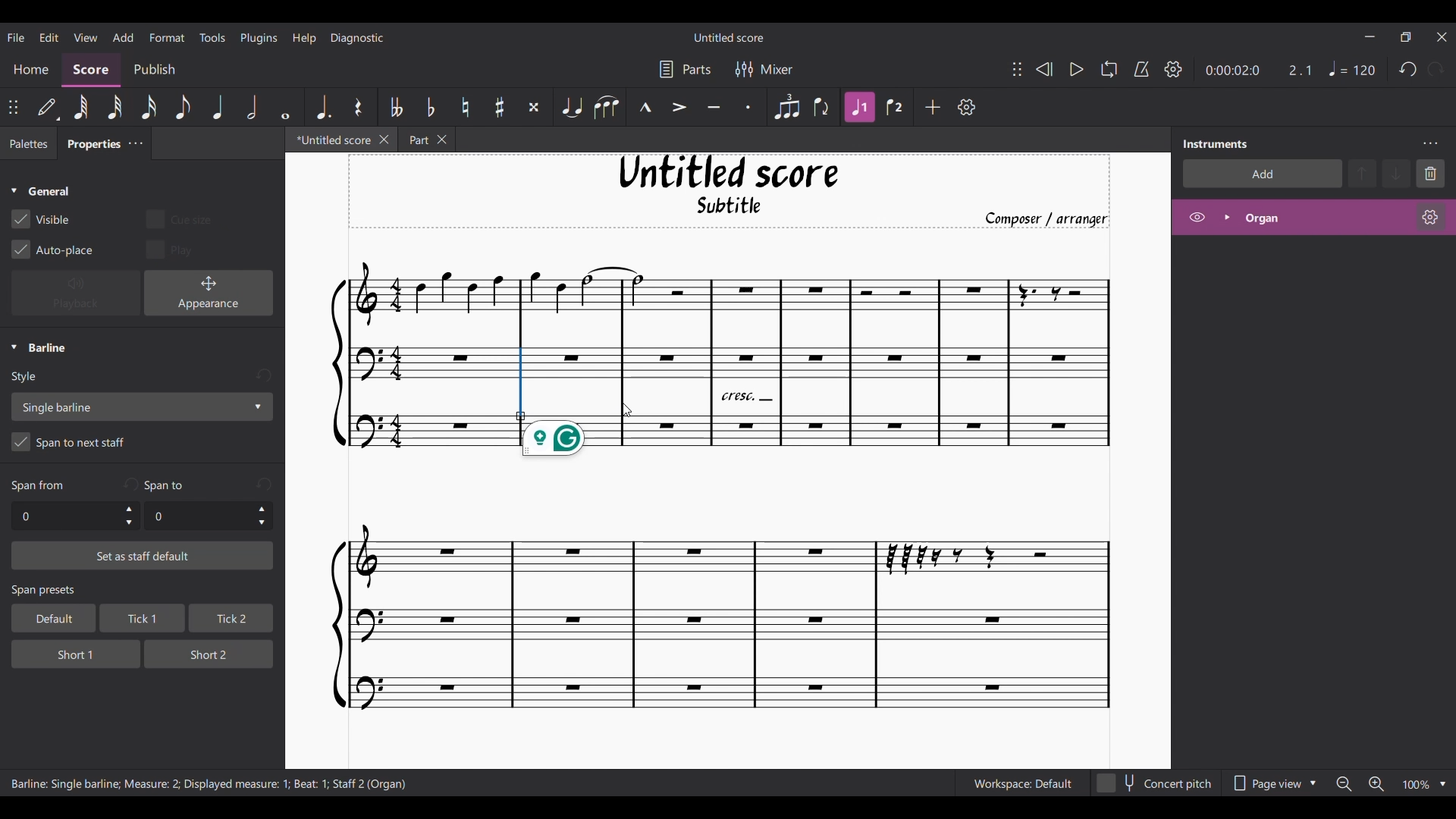 This screenshot has width=1456, height=819. I want to click on Indicates text space for Span to, so click(168, 485).